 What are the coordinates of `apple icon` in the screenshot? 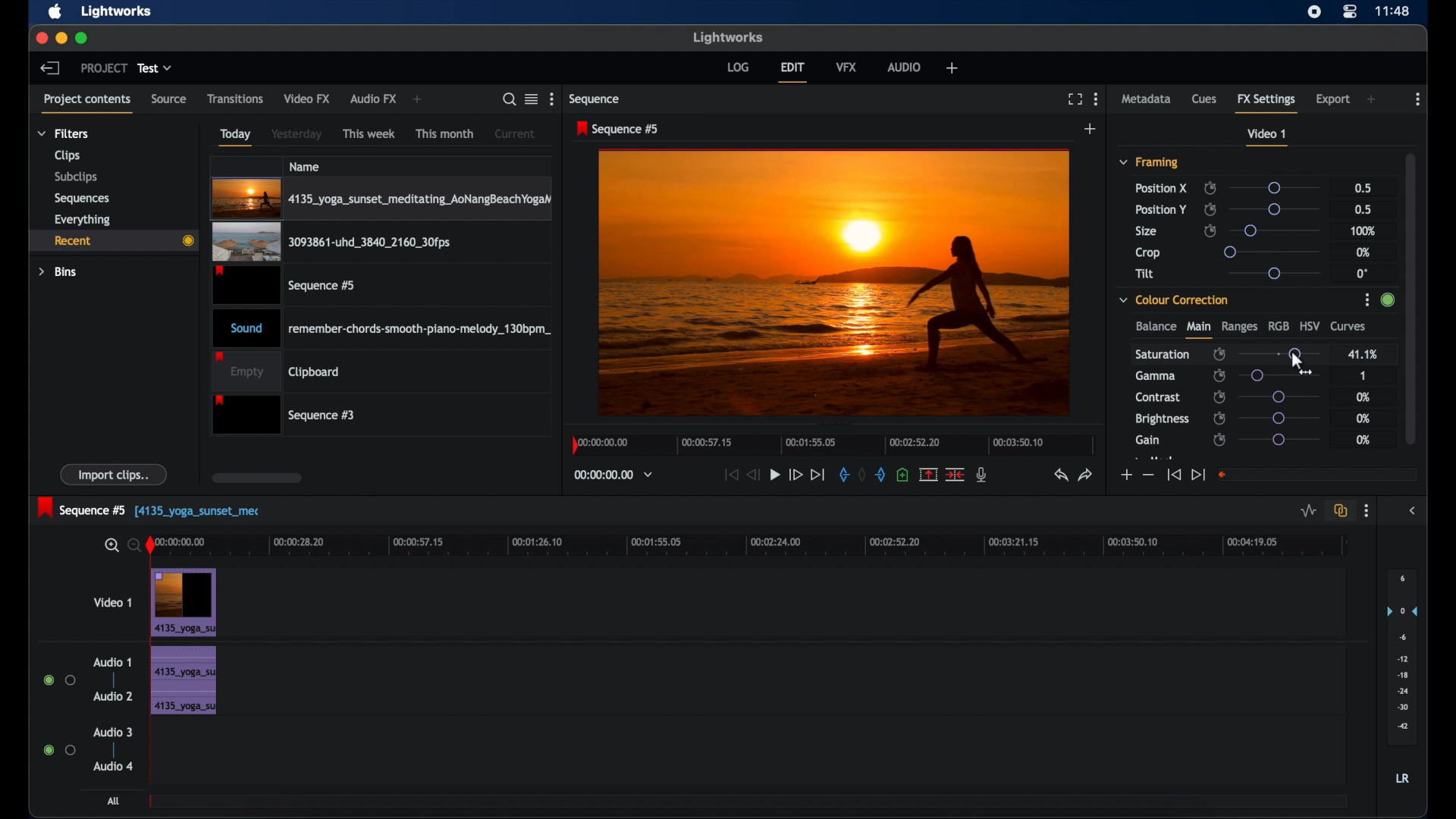 It's located at (56, 12).